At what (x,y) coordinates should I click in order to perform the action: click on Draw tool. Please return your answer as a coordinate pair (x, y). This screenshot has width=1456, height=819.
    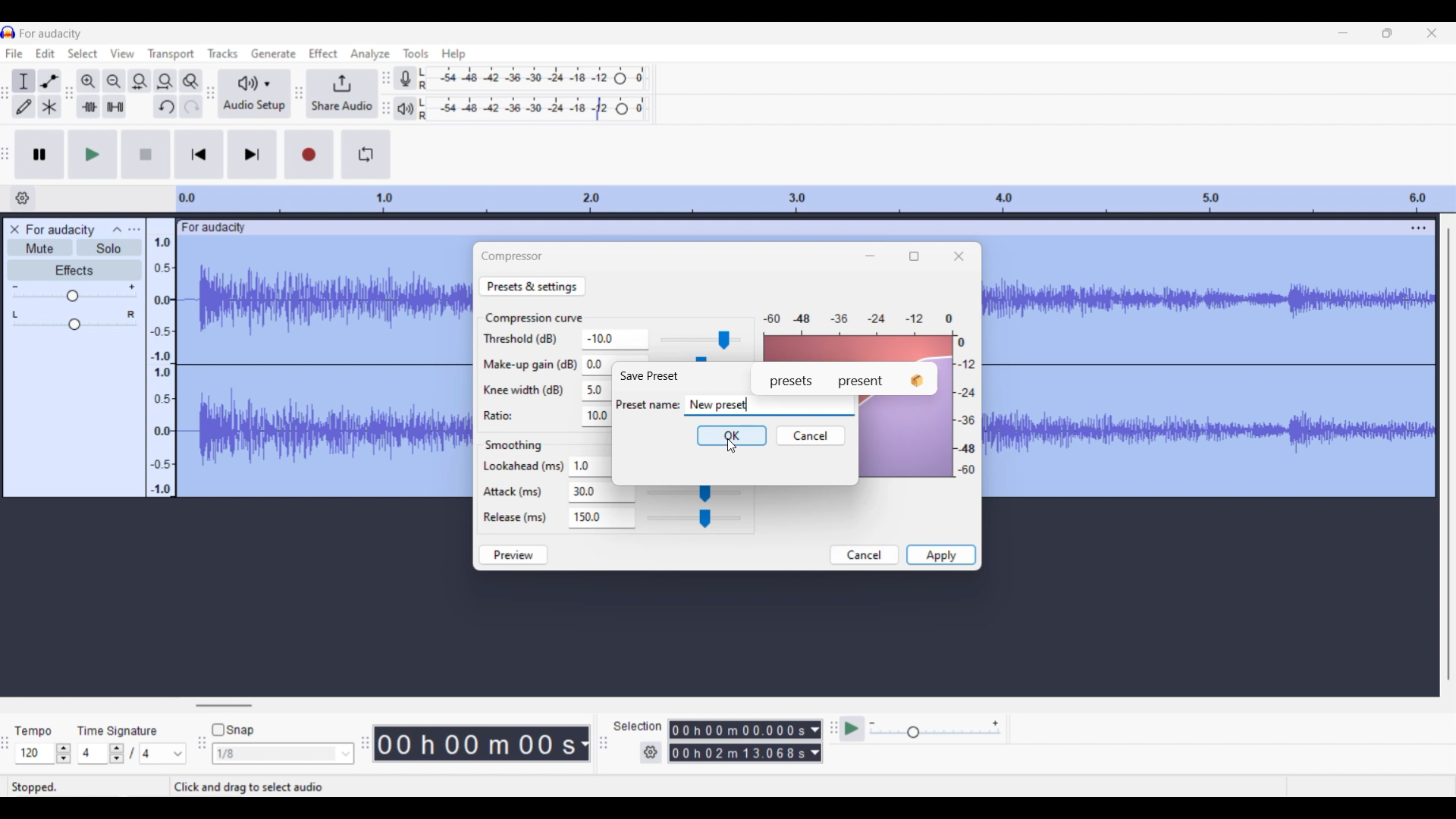
    Looking at the image, I should click on (24, 107).